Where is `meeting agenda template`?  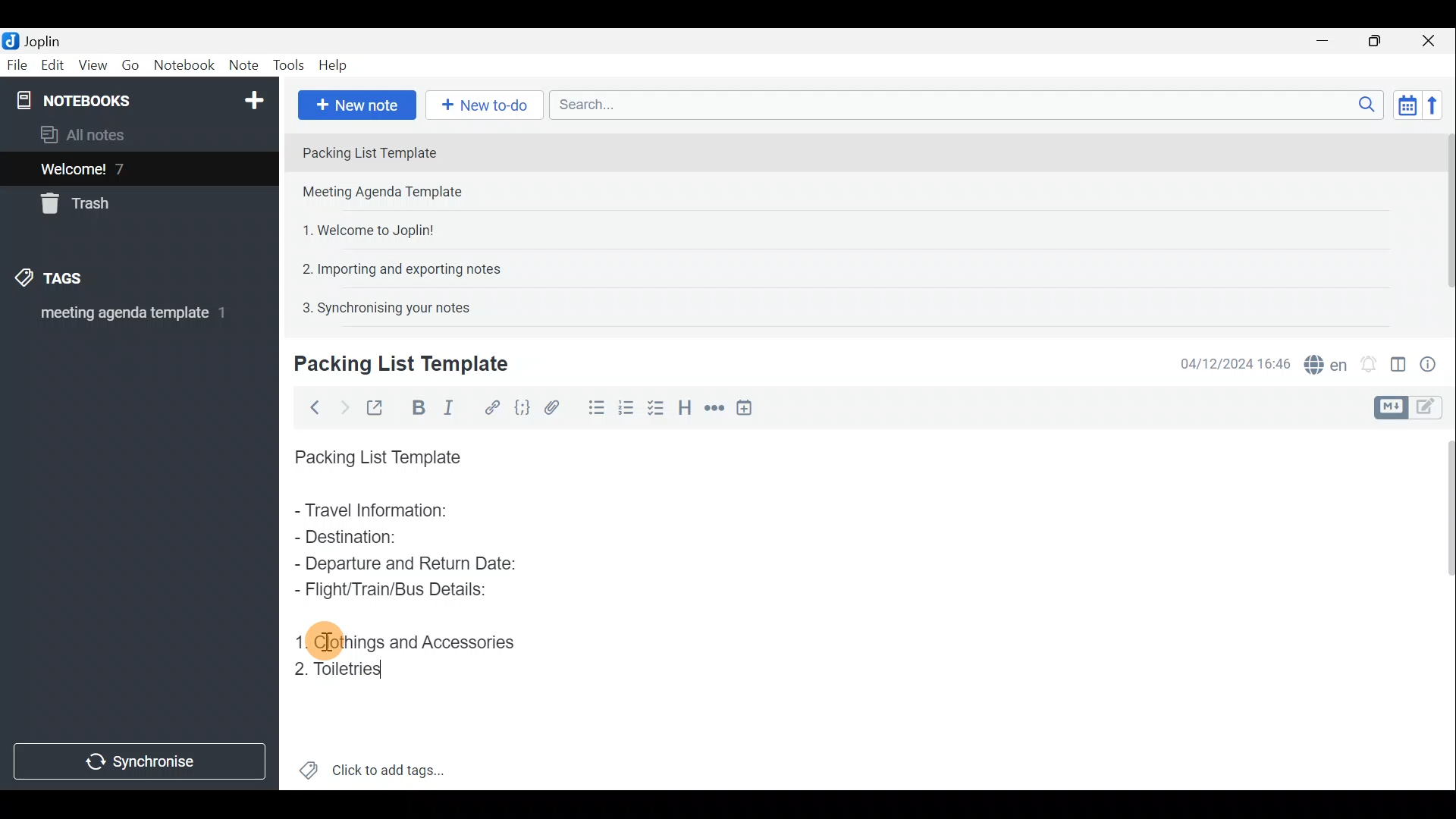
meeting agenda template is located at coordinates (130, 318).